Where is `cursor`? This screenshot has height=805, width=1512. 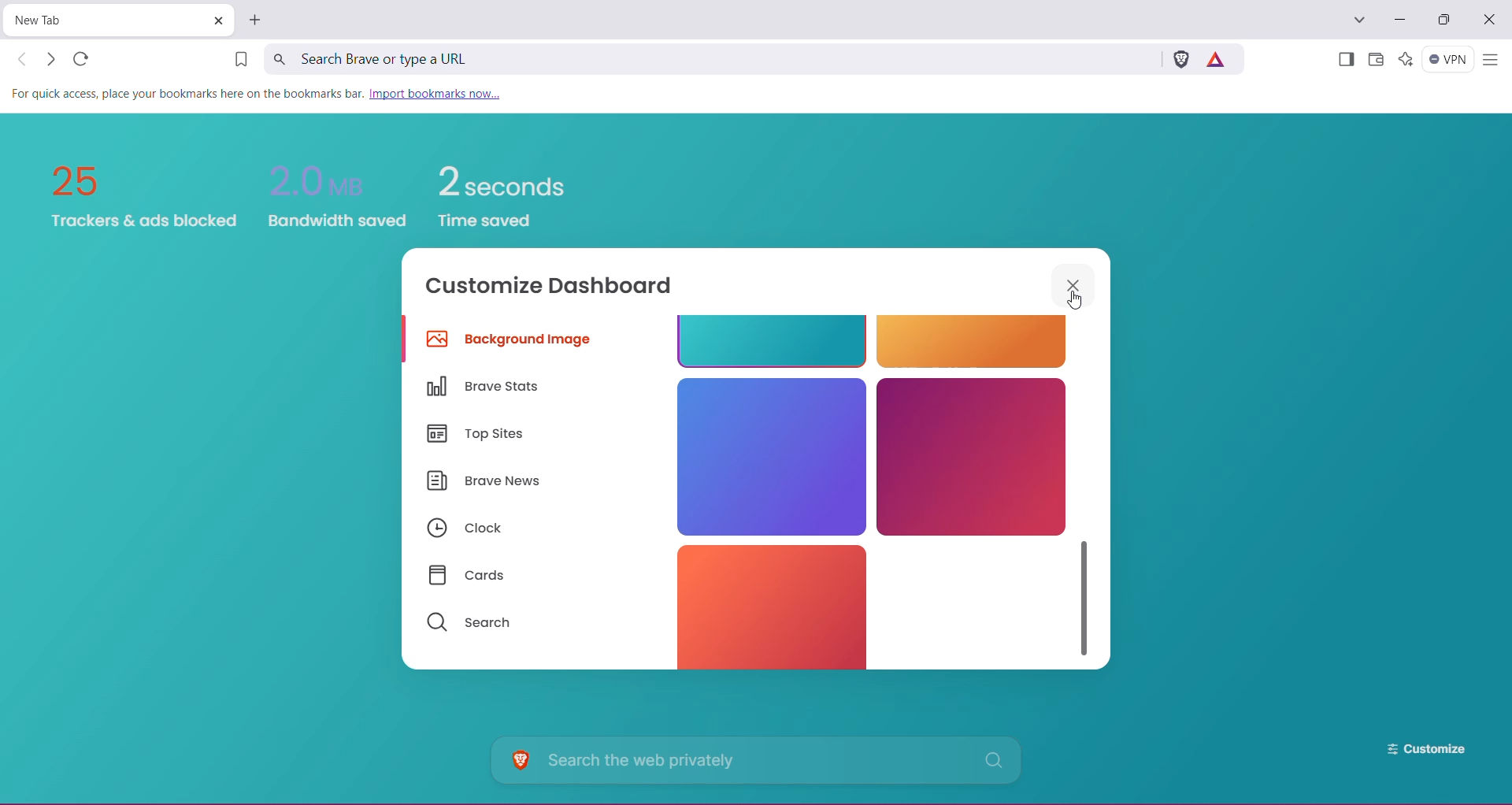 cursor is located at coordinates (1076, 305).